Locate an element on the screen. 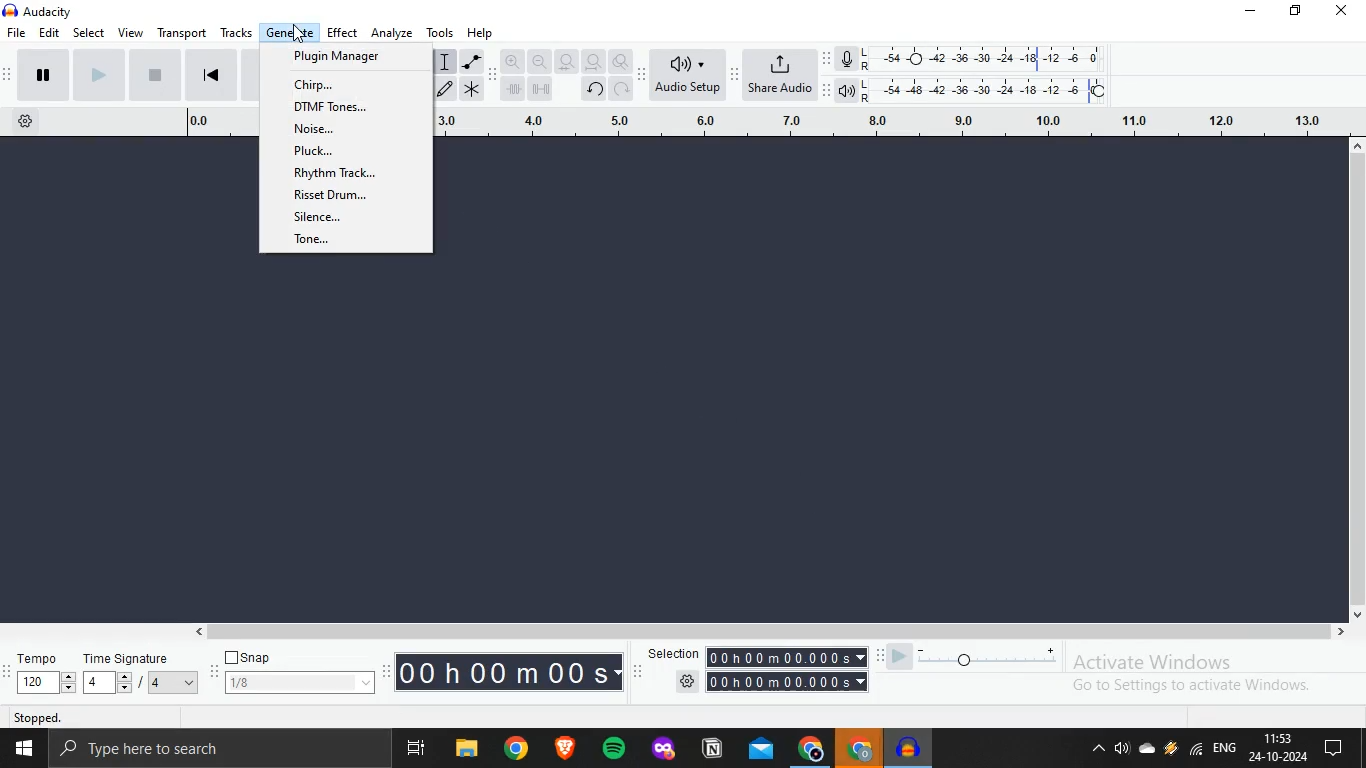  Wifi is located at coordinates (1197, 752).